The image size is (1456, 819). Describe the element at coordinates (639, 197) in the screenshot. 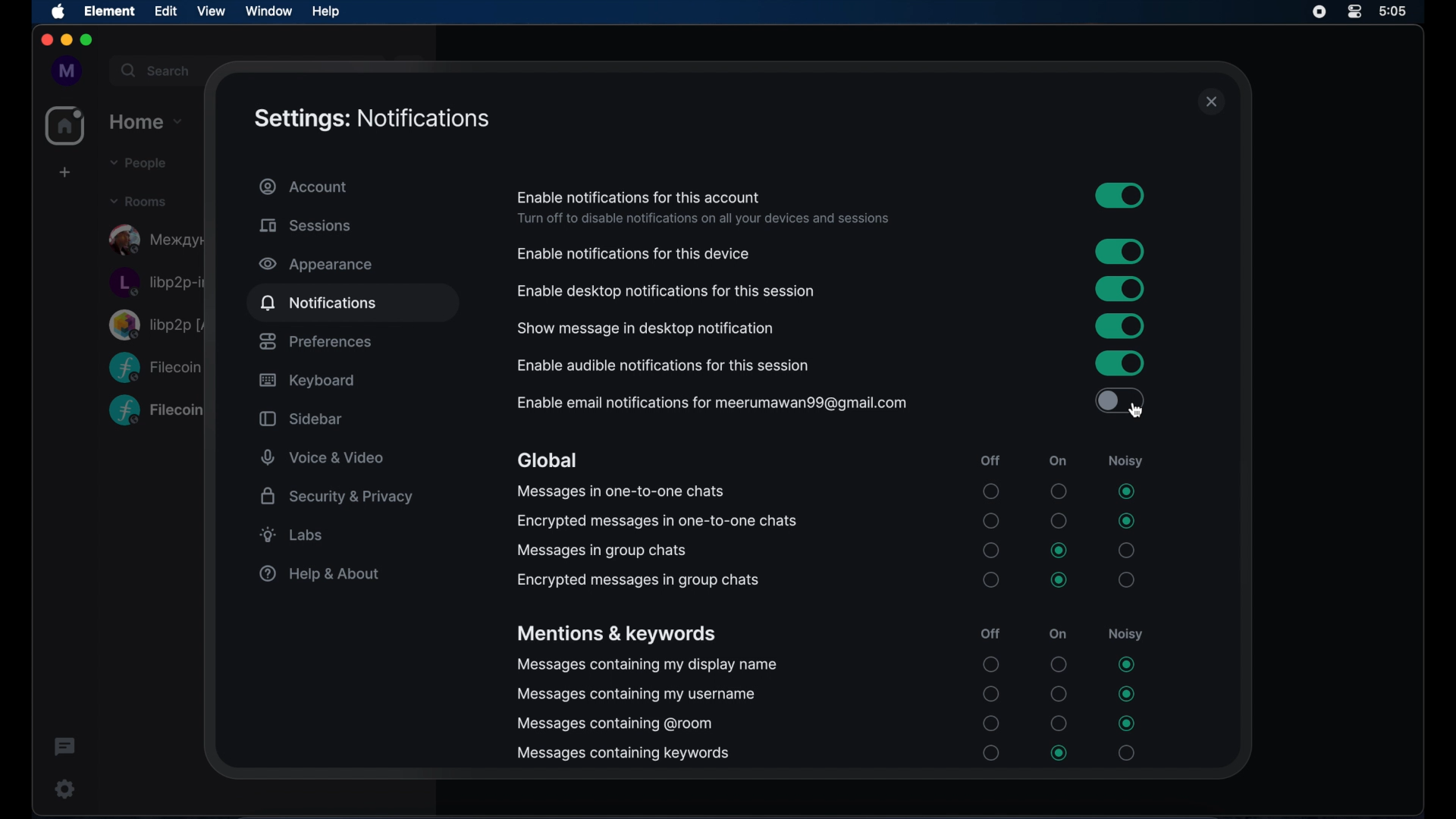

I see `enable notifications for this account` at that location.